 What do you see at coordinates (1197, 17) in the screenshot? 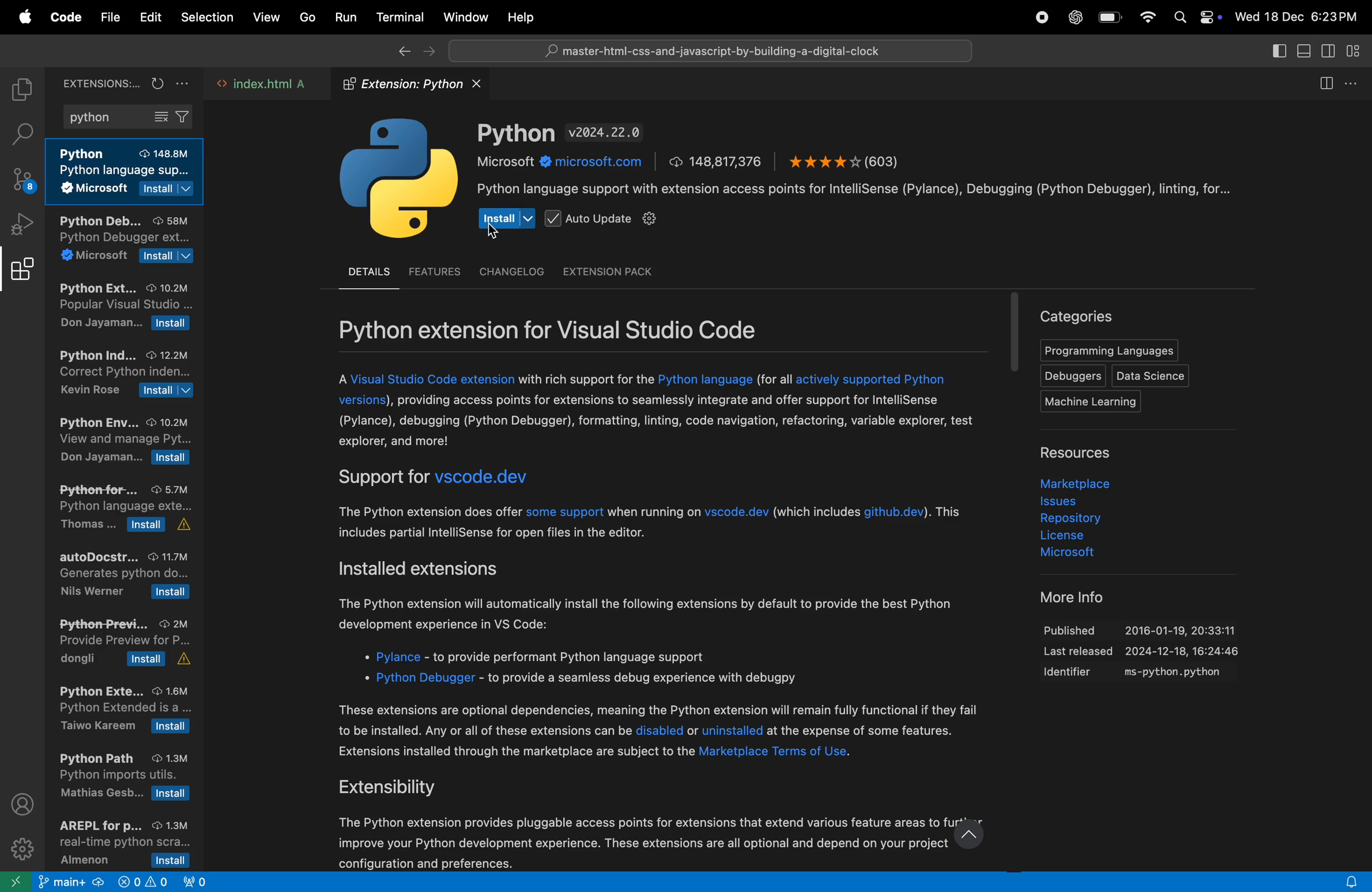
I see `apple widgets` at bounding box center [1197, 17].